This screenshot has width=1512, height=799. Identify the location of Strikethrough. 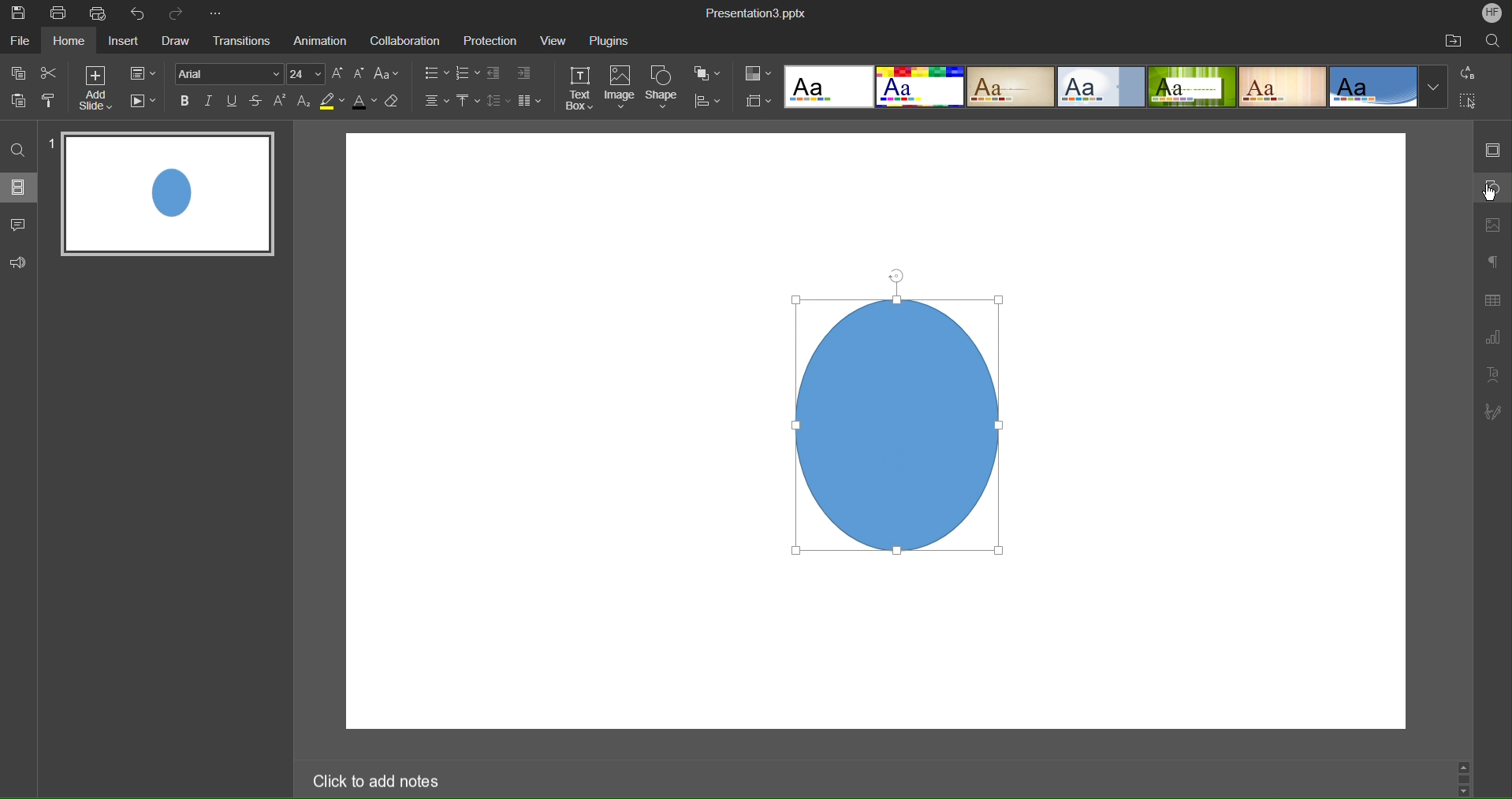
(257, 103).